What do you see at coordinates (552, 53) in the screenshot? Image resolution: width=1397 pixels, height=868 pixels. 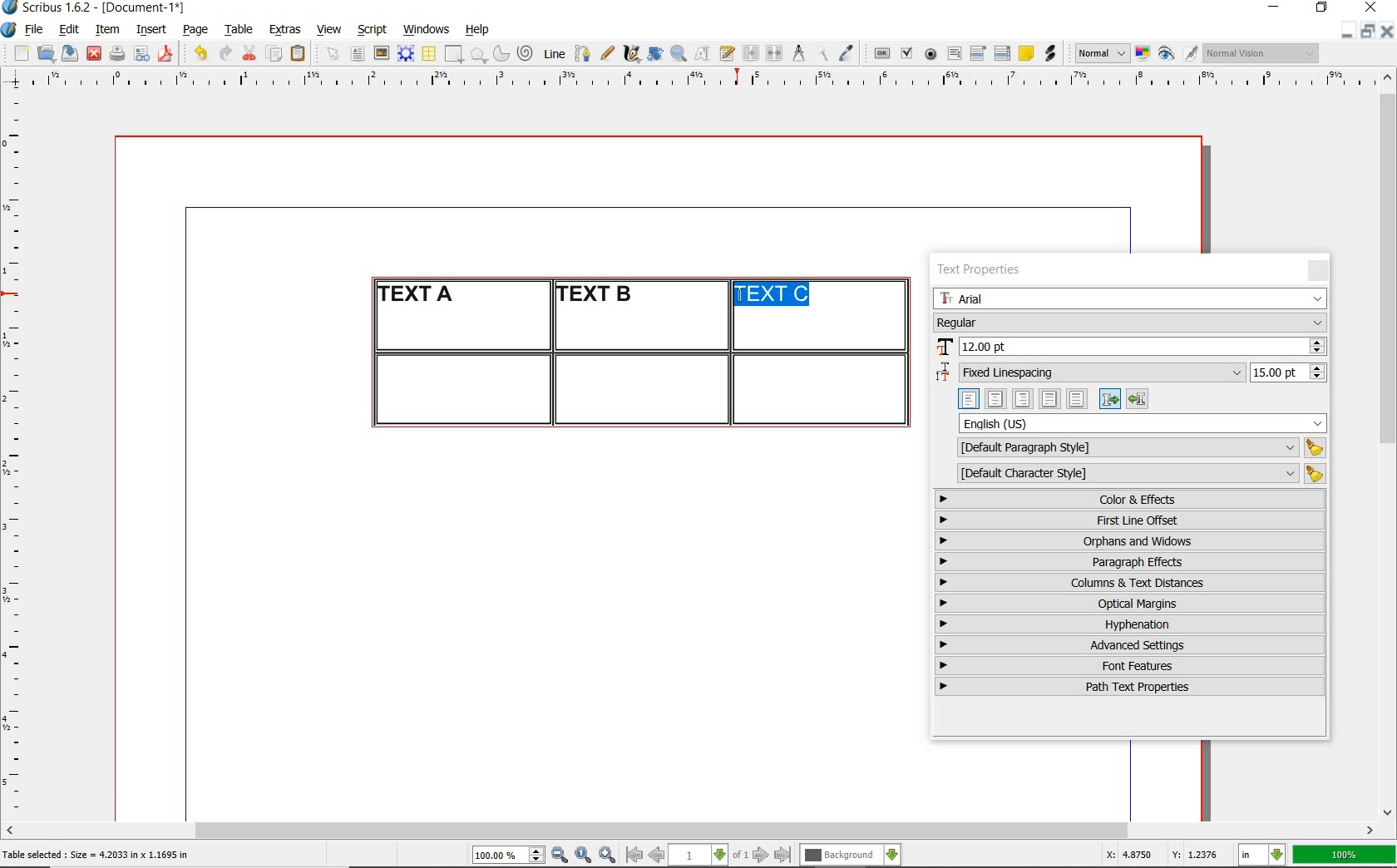 I see `line` at bounding box center [552, 53].